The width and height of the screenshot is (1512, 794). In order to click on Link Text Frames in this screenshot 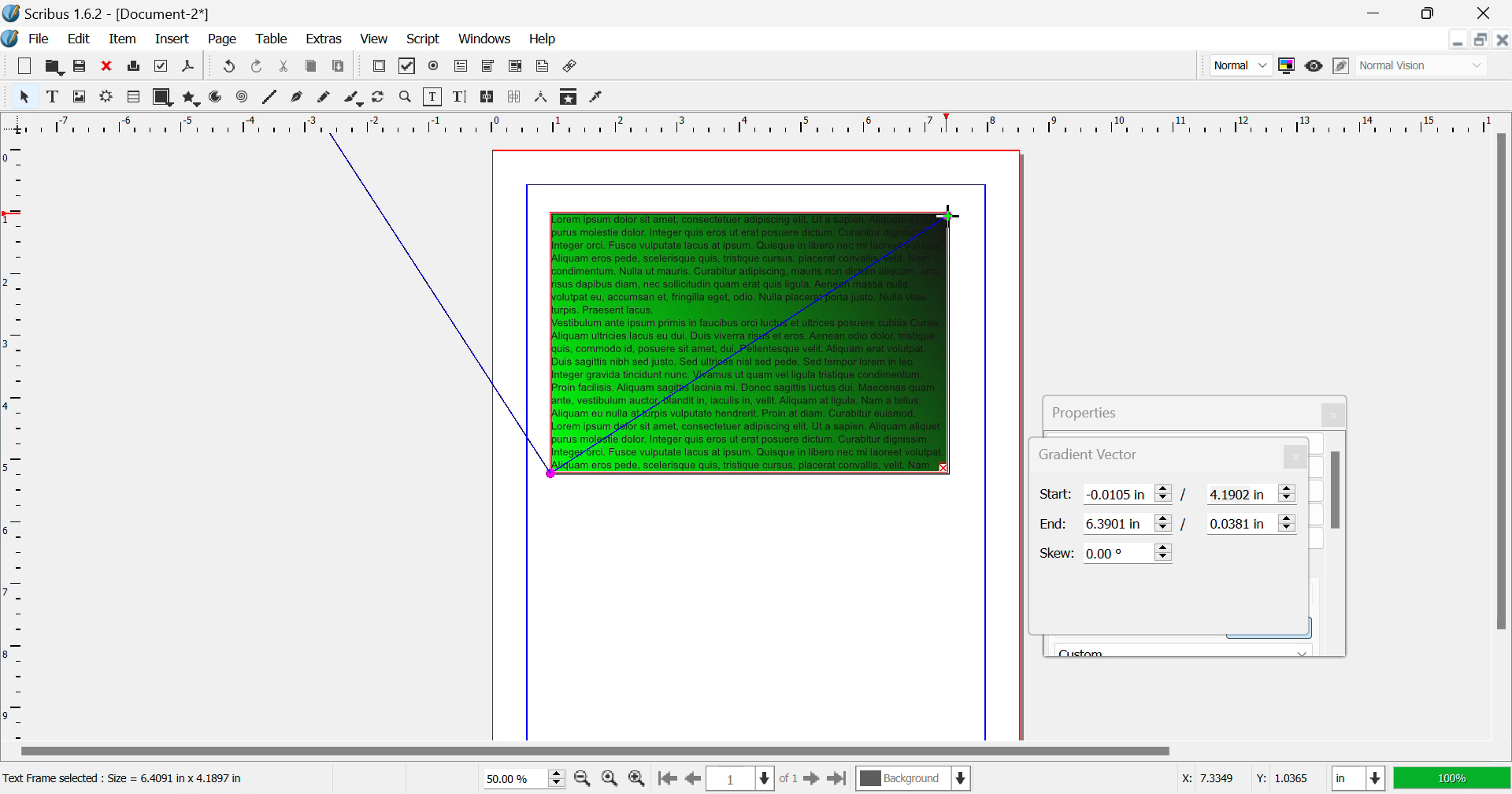, I will do `click(488, 98)`.